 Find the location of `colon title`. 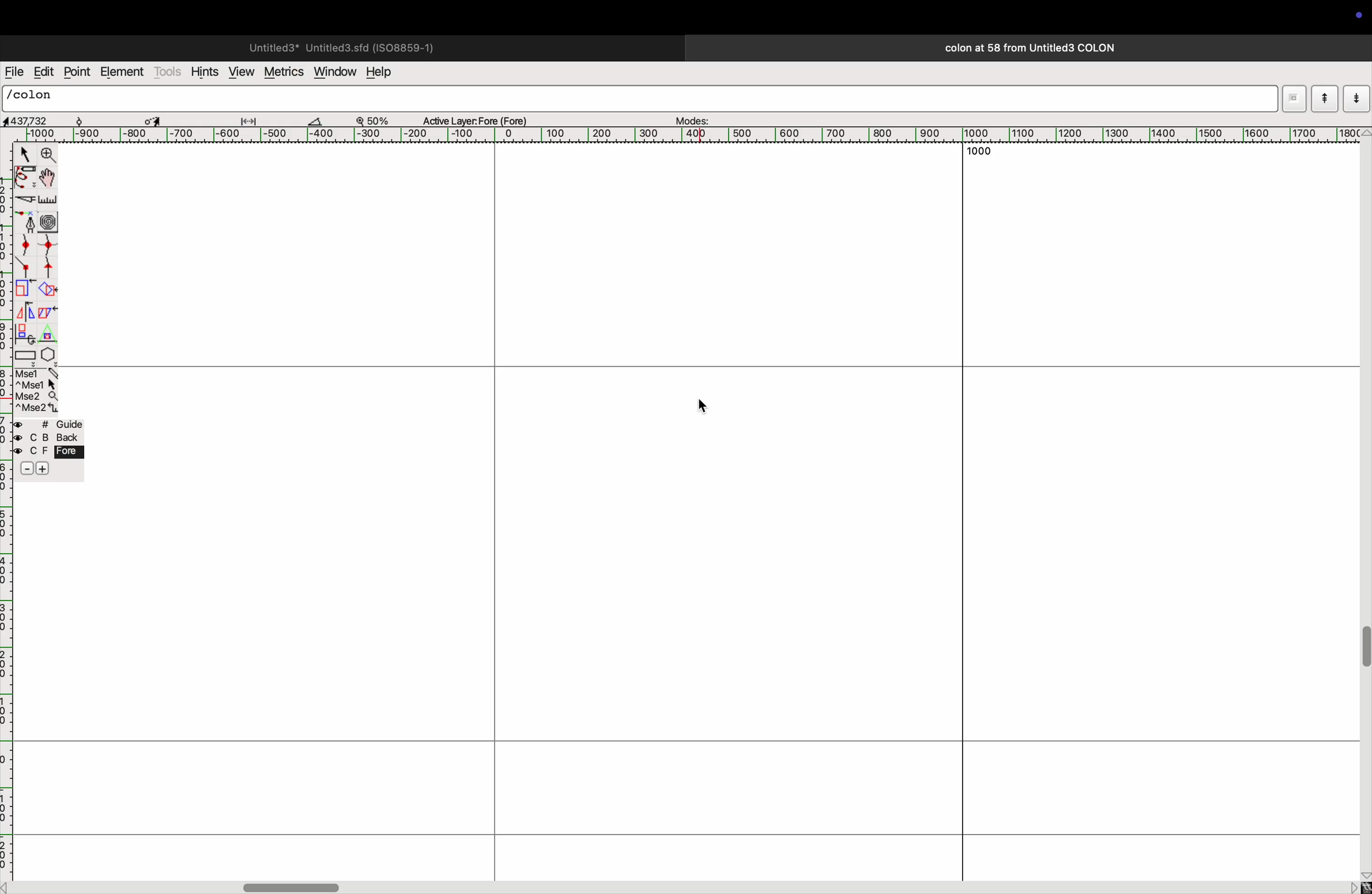

colon title is located at coordinates (1025, 48).